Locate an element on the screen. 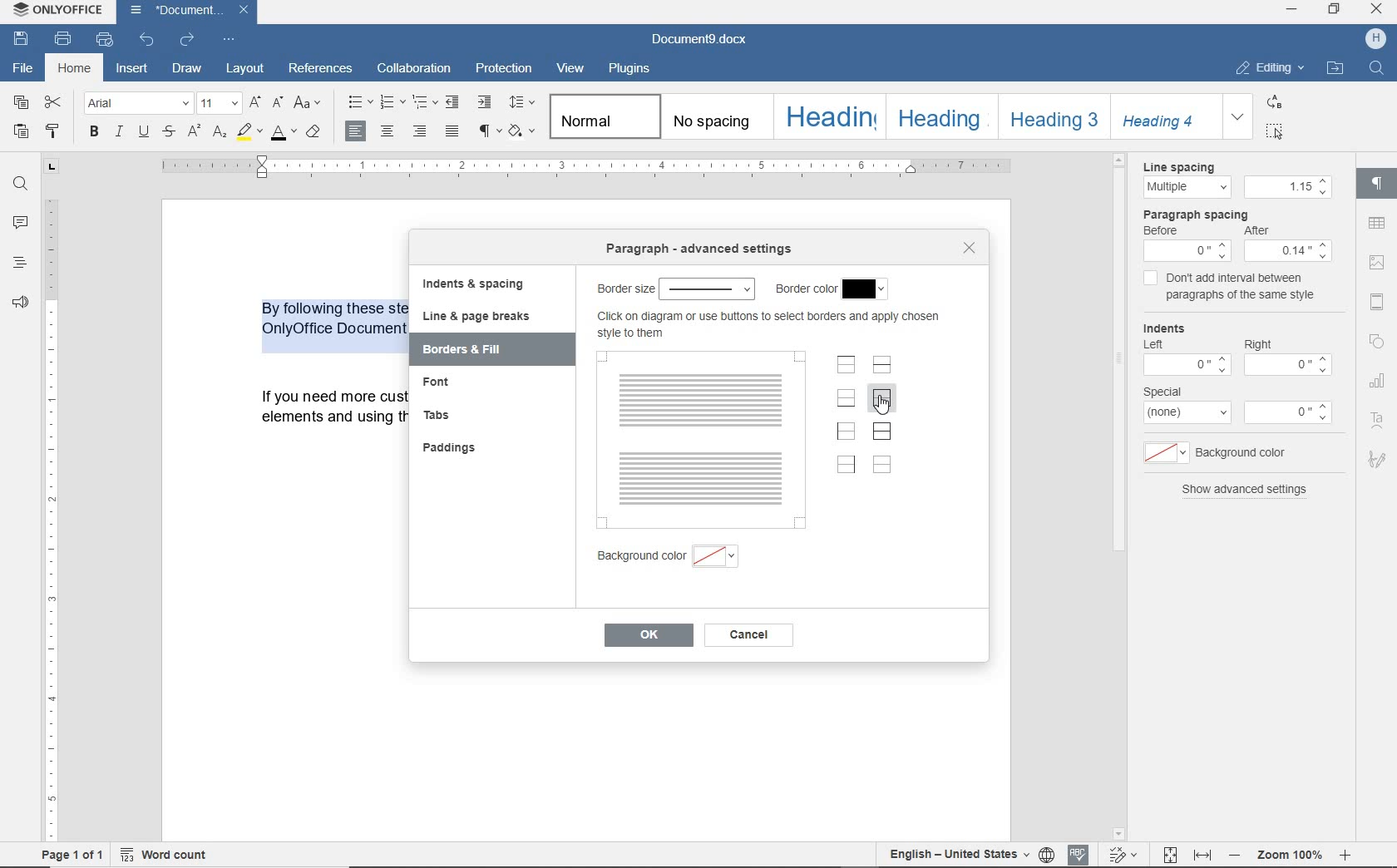 This screenshot has height=868, width=1397. font is located at coordinates (446, 386).